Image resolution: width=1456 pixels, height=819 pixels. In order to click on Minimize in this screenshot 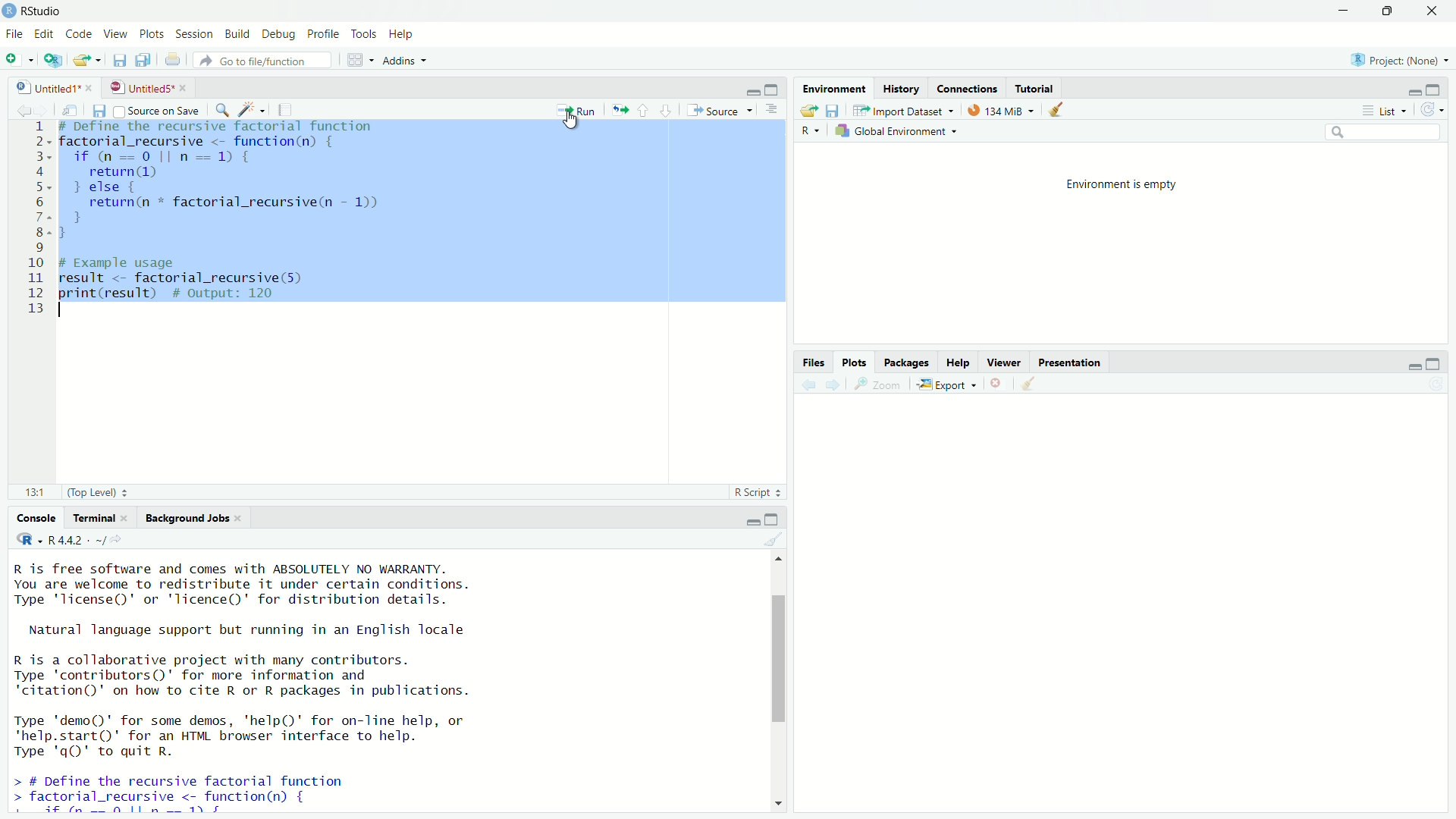, I will do `click(1413, 92)`.